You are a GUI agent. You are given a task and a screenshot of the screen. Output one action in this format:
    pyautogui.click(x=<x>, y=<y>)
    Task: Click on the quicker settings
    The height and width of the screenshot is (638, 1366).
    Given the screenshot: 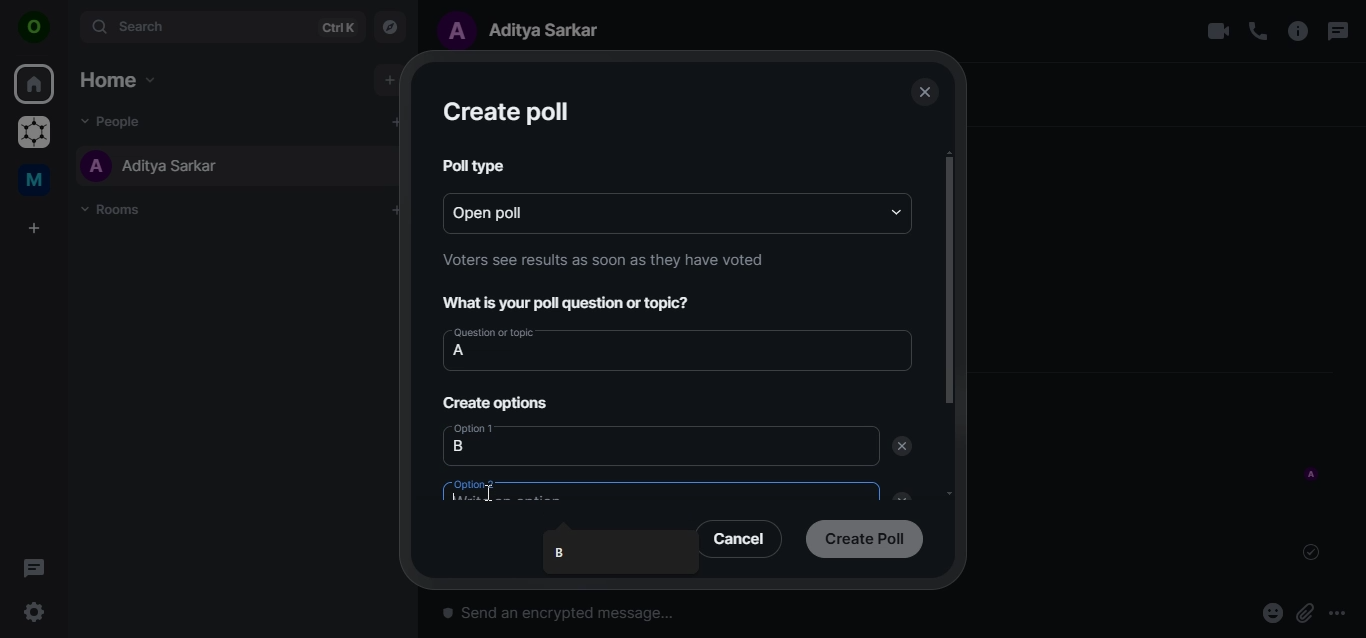 What is the action you would take?
    pyautogui.click(x=37, y=613)
    